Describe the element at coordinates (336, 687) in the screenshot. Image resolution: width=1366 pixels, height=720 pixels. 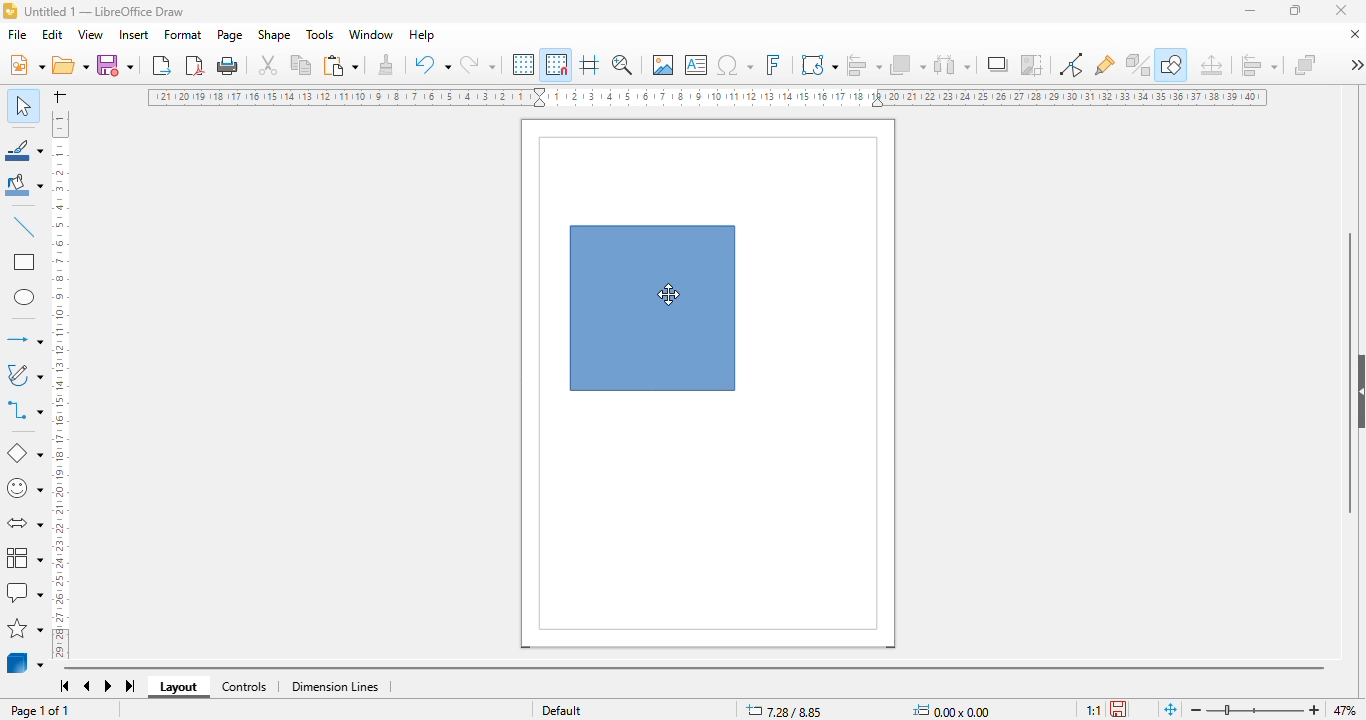
I see `dimension lines` at that location.